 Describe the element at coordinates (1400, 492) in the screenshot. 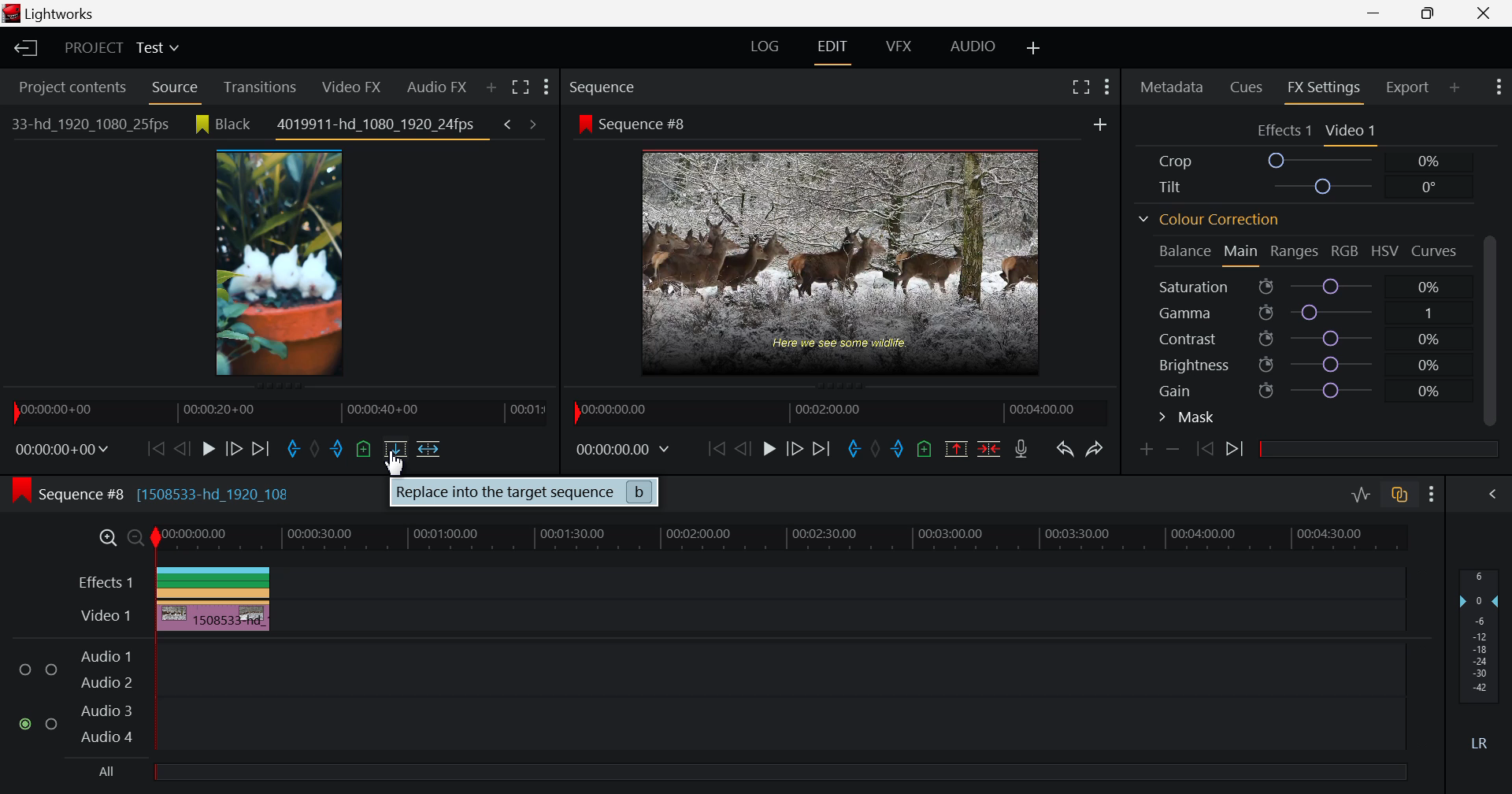

I see `toggle auto track sync` at that location.